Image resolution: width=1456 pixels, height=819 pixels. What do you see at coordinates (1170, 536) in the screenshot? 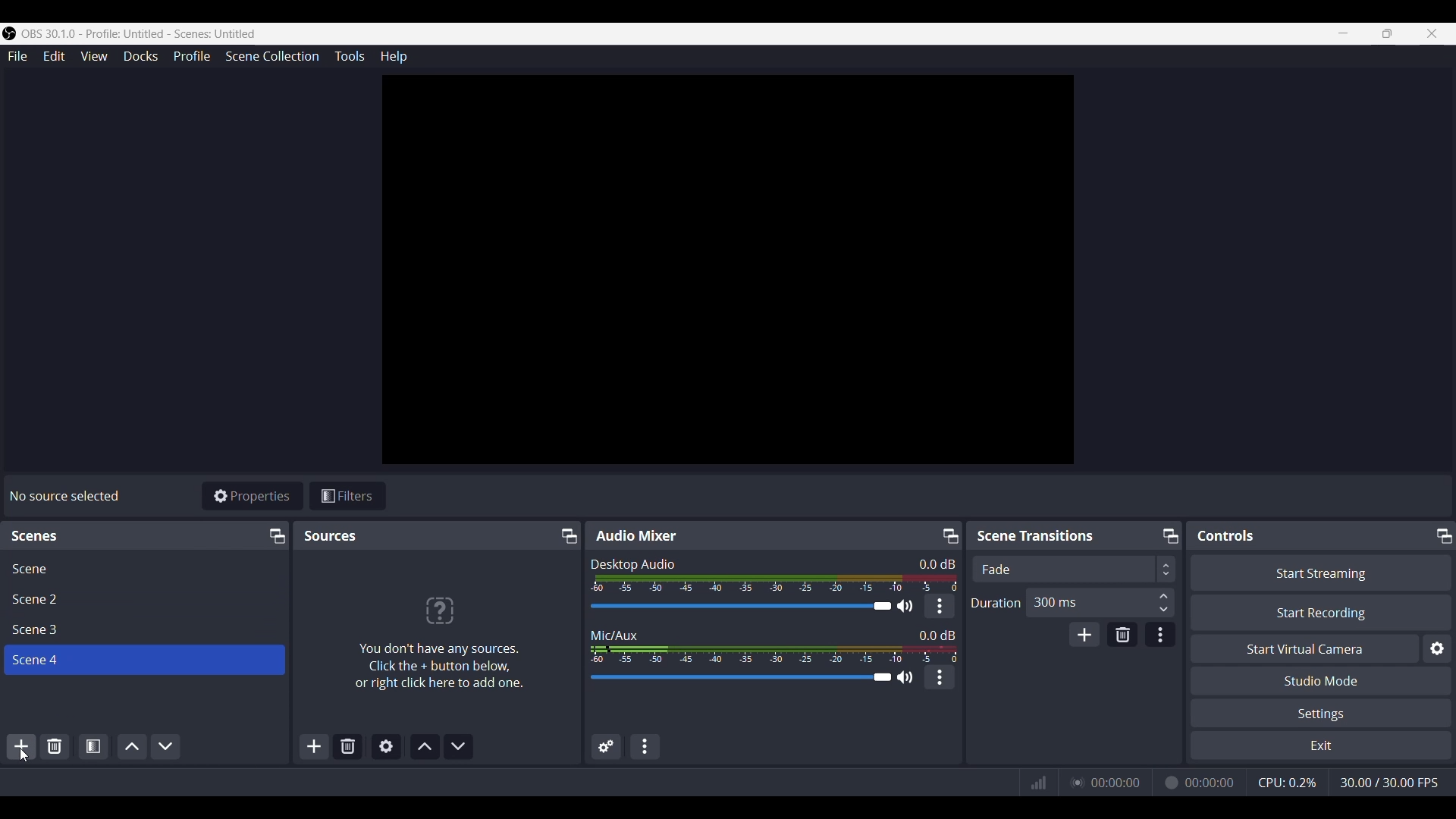
I see `Minimize` at bounding box center [1170, 536].